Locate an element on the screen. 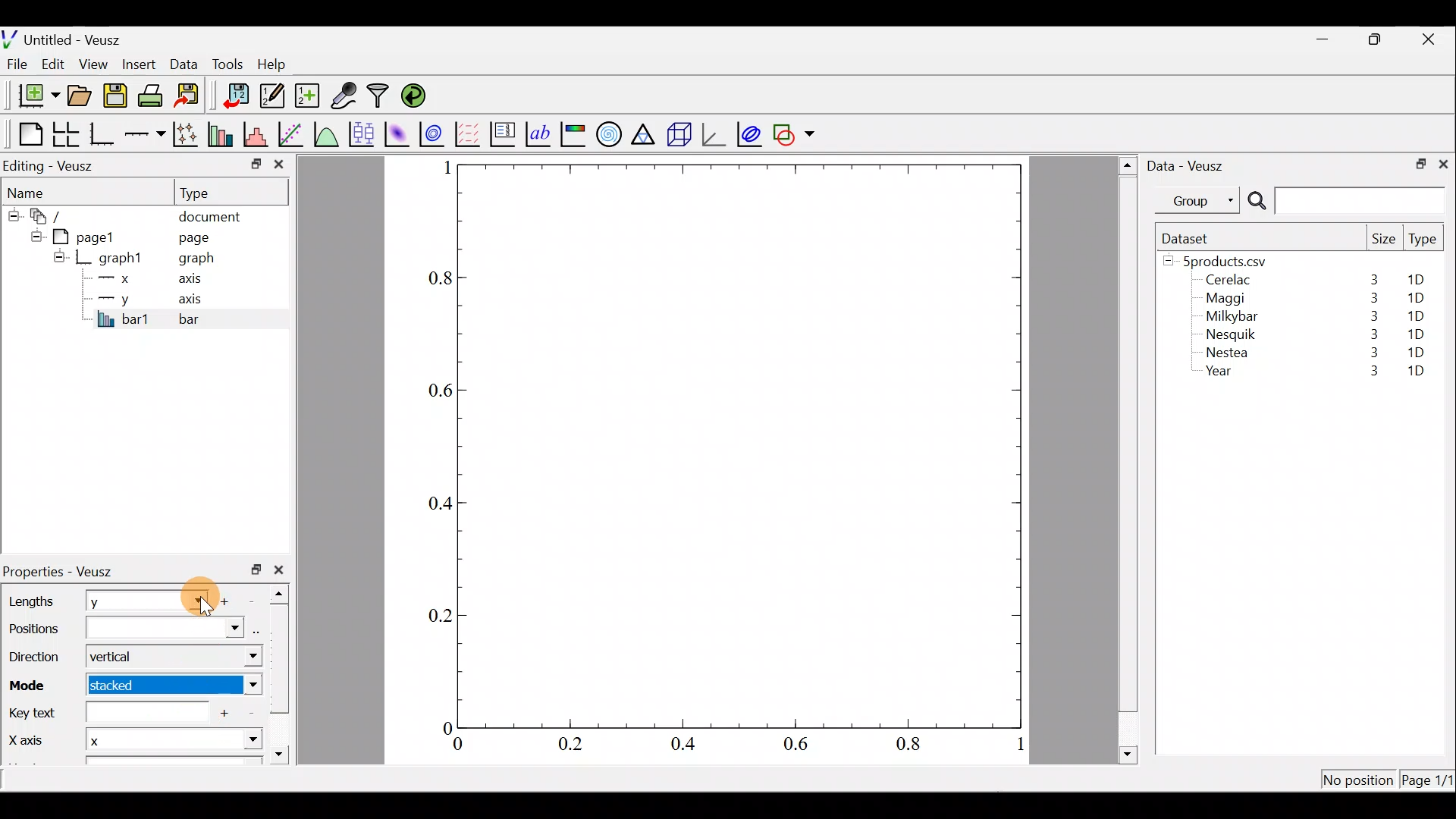  3d graph is located at coordinates (714, 133).